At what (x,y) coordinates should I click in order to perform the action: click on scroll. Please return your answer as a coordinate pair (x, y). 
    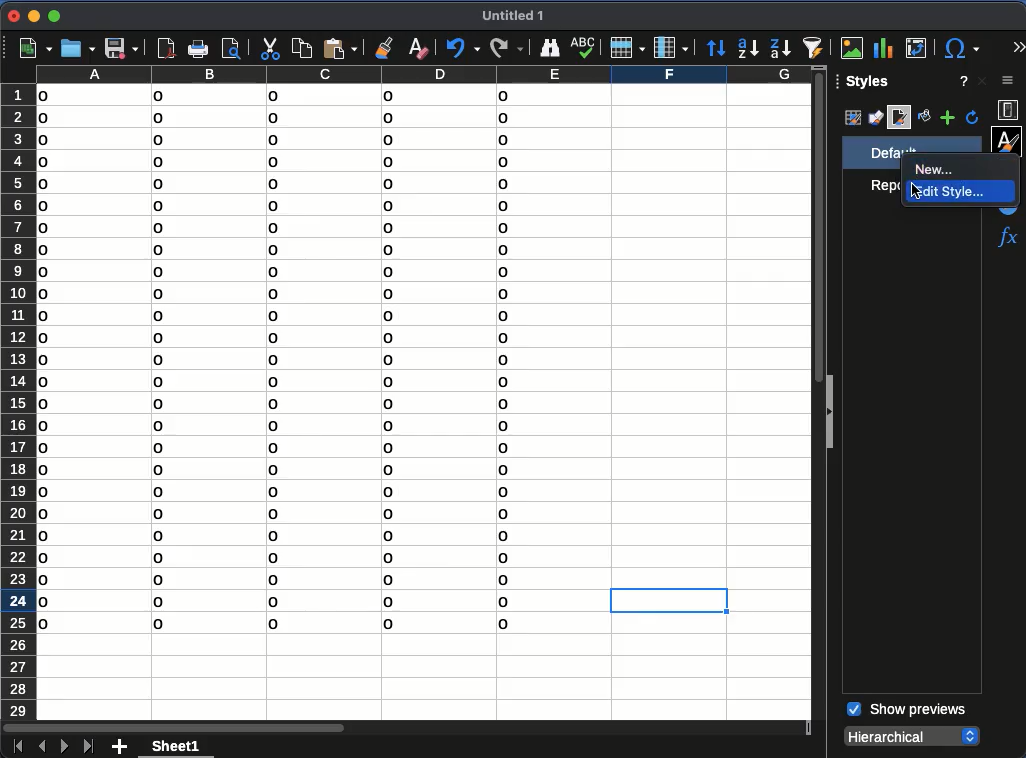
    Looking at the image, I should click on (1020, 491).